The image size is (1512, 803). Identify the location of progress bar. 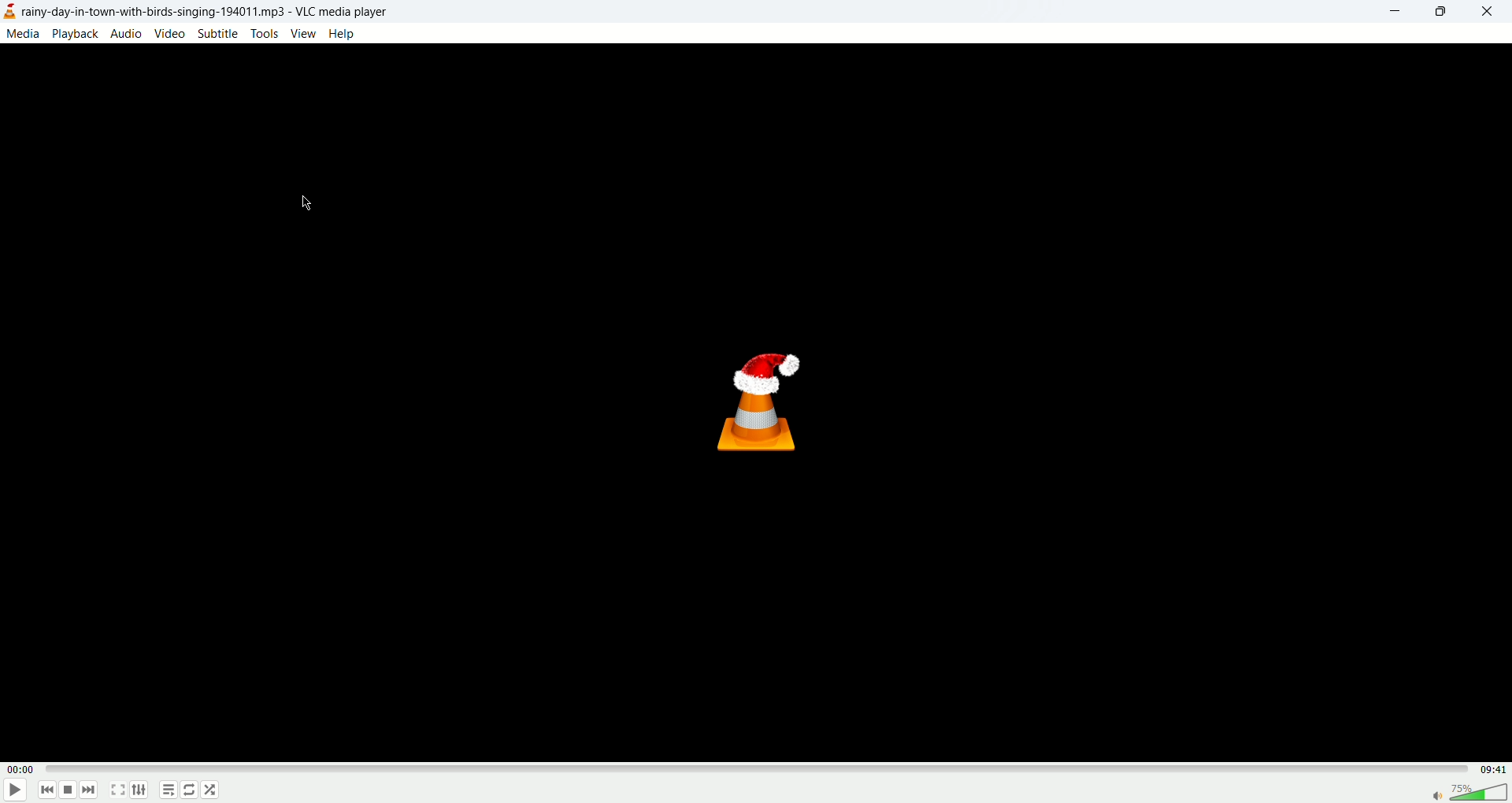
(754, 769).